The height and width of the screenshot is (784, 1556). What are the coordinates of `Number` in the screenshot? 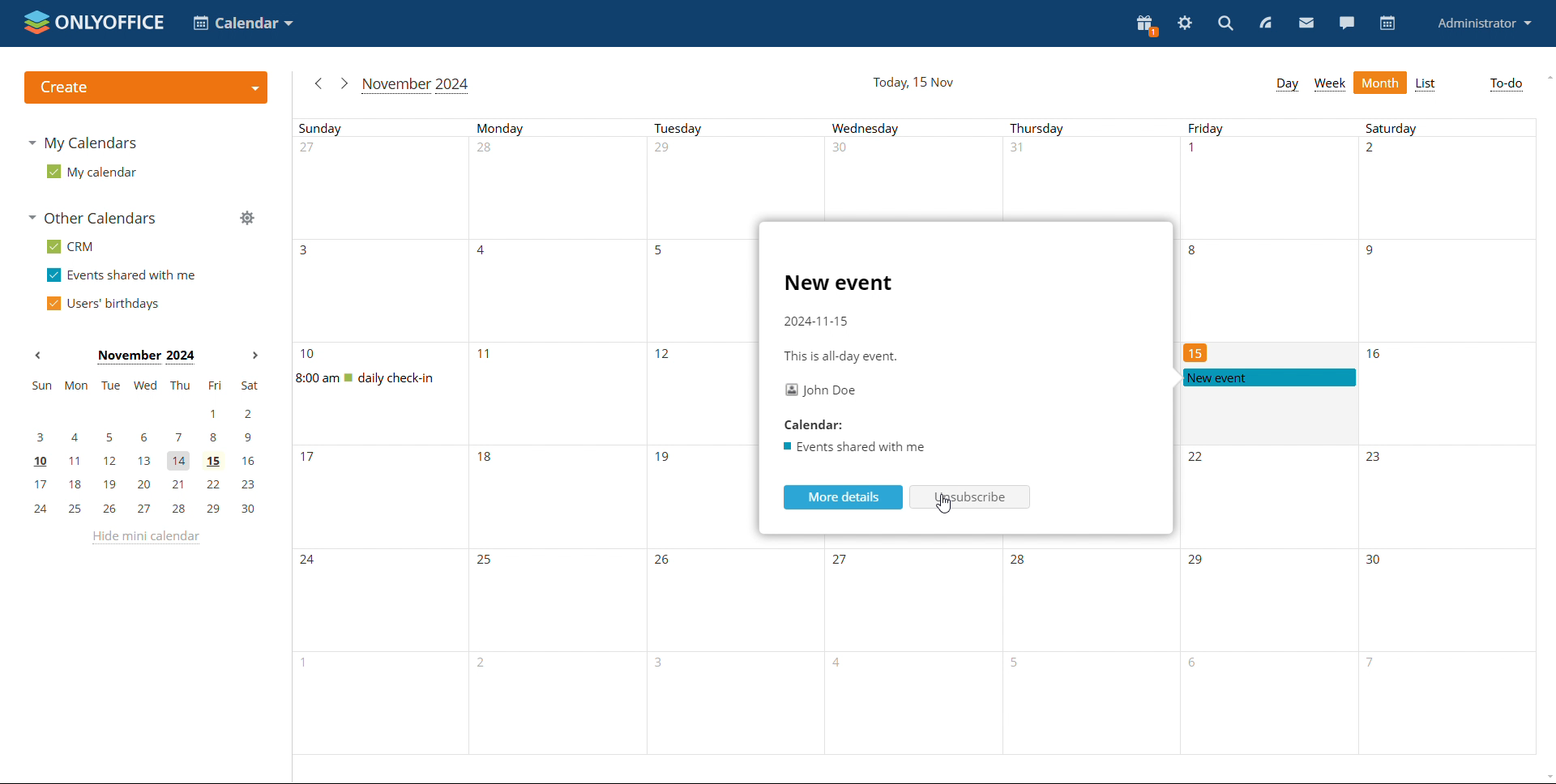 It's located at (483, 353).